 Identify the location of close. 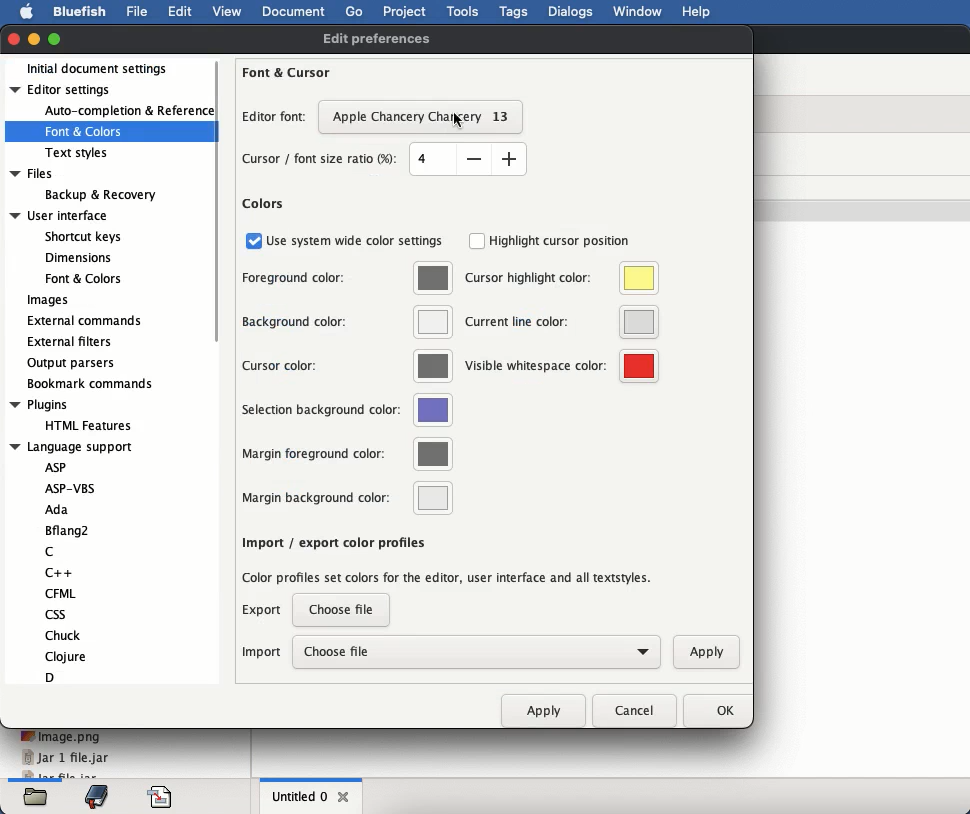
(15, 40).